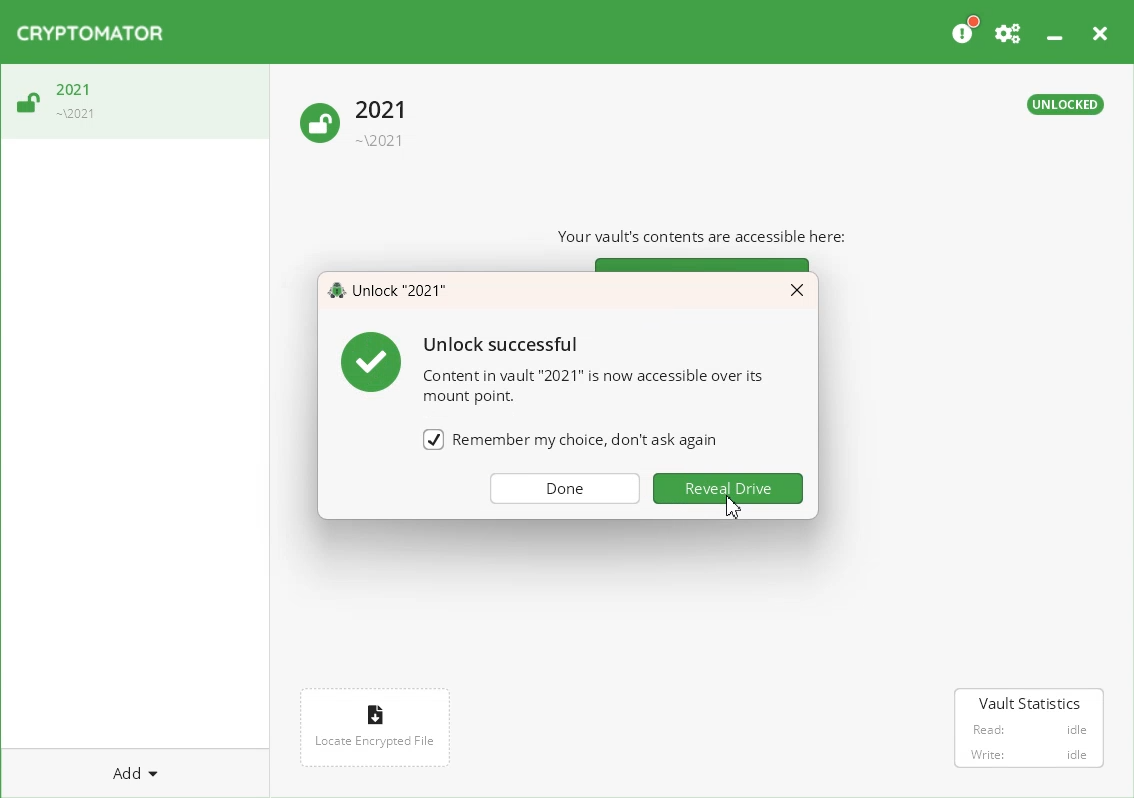 The width and height of the screenshot is (1134, 798). Describe the element at coordinates (551, 366) in the screenshot. I see `Text` at that location.